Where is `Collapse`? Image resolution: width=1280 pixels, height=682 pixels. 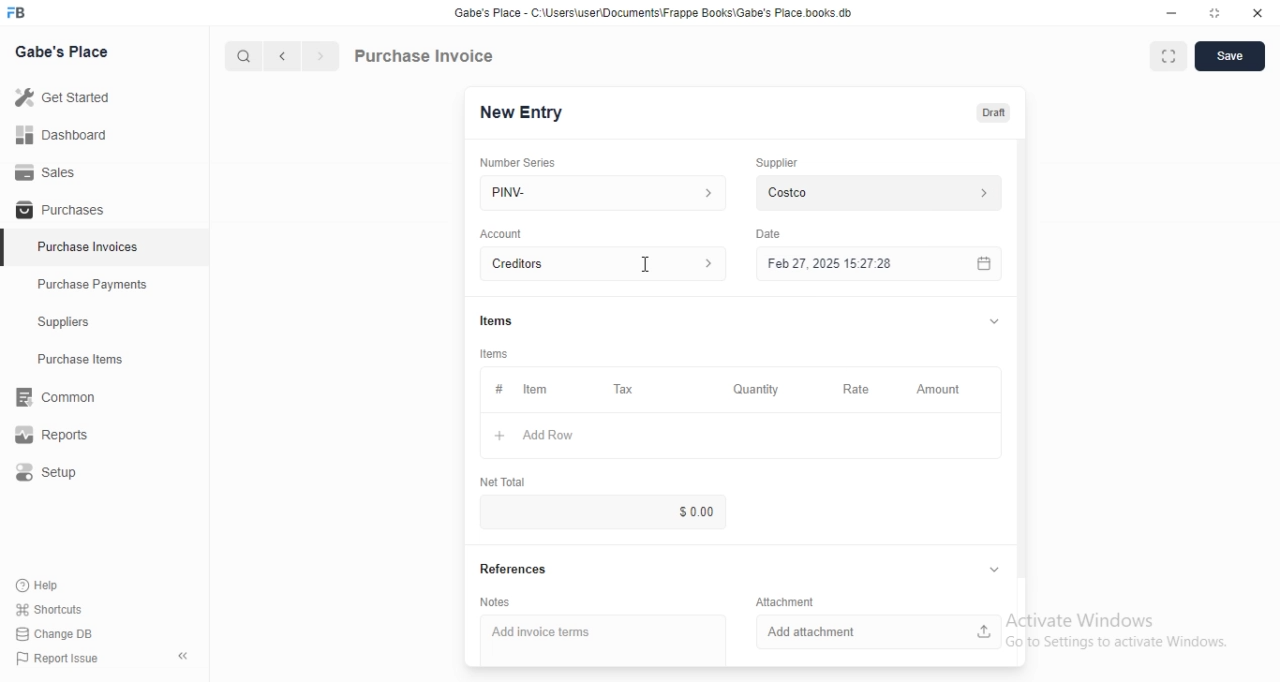 Collapse is located at coordinates (994, 321).